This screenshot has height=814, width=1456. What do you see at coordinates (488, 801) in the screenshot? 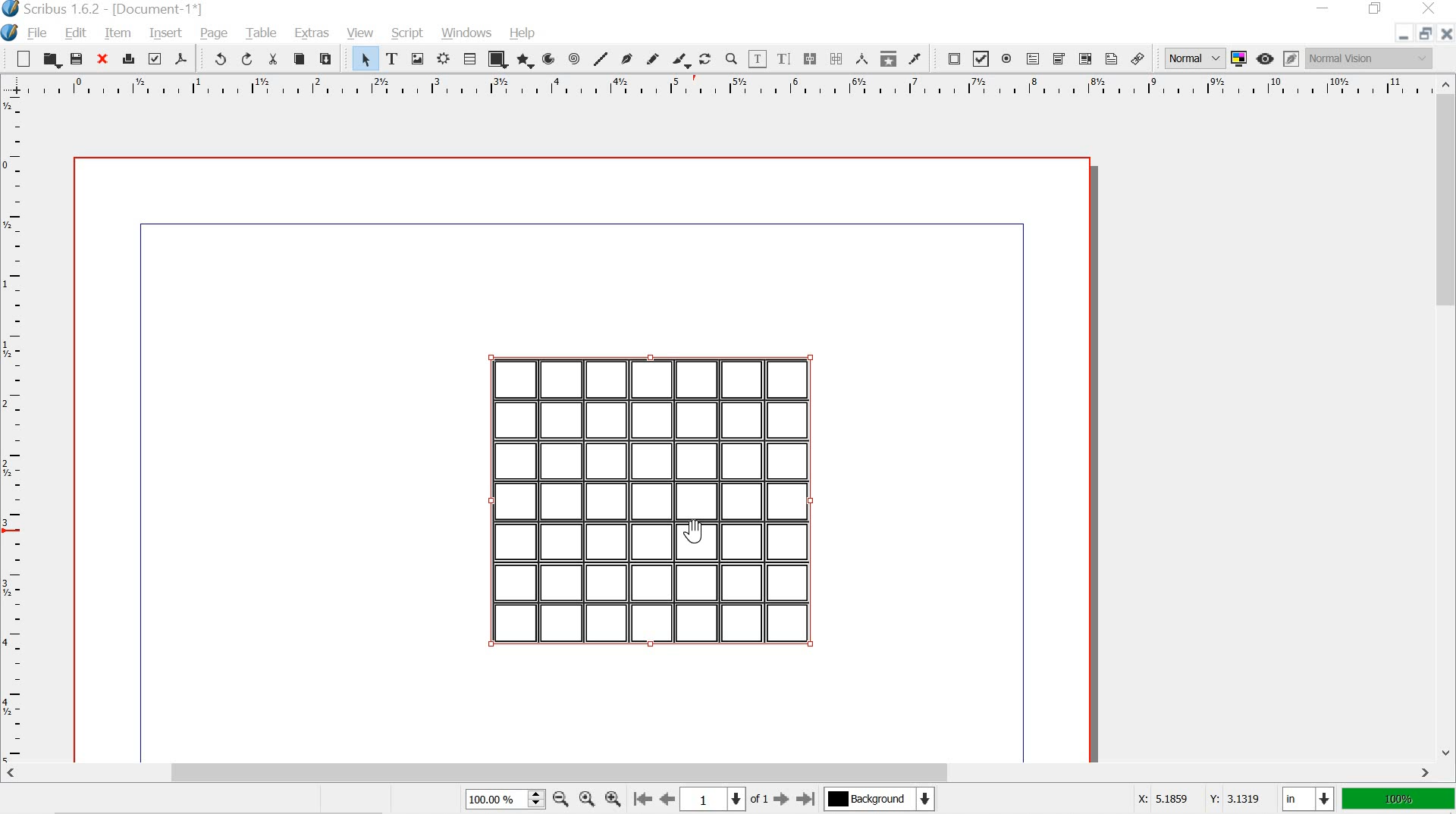
I see `100.00%` at bounding box center [488, 801].